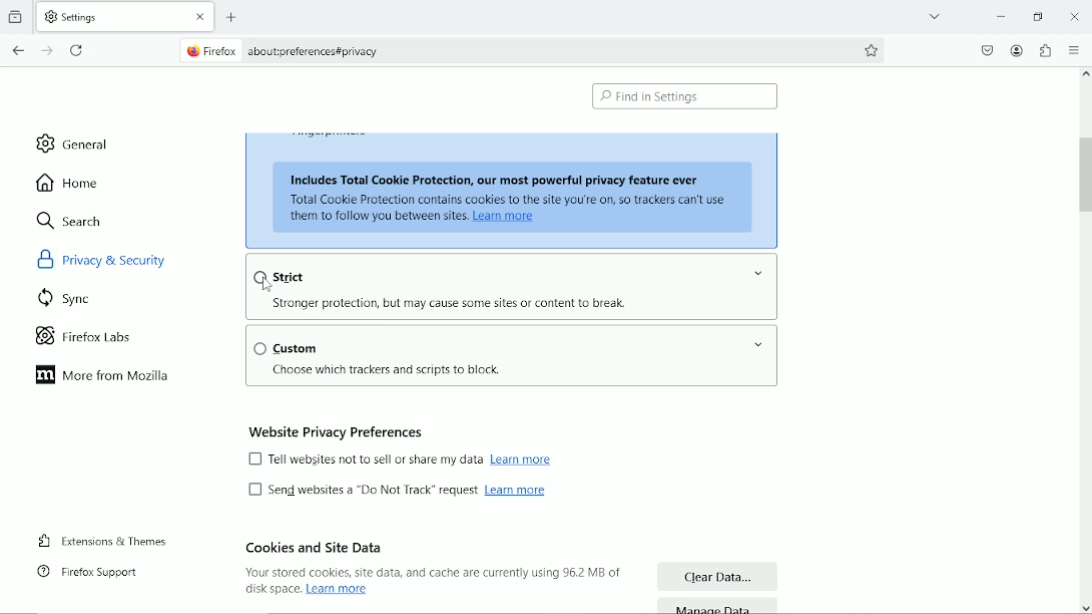 The height and width of the screenshot is (614, 1092). Describe the element at coordinates (1039, 14) in the screenshot. I see `restore down` at that location.